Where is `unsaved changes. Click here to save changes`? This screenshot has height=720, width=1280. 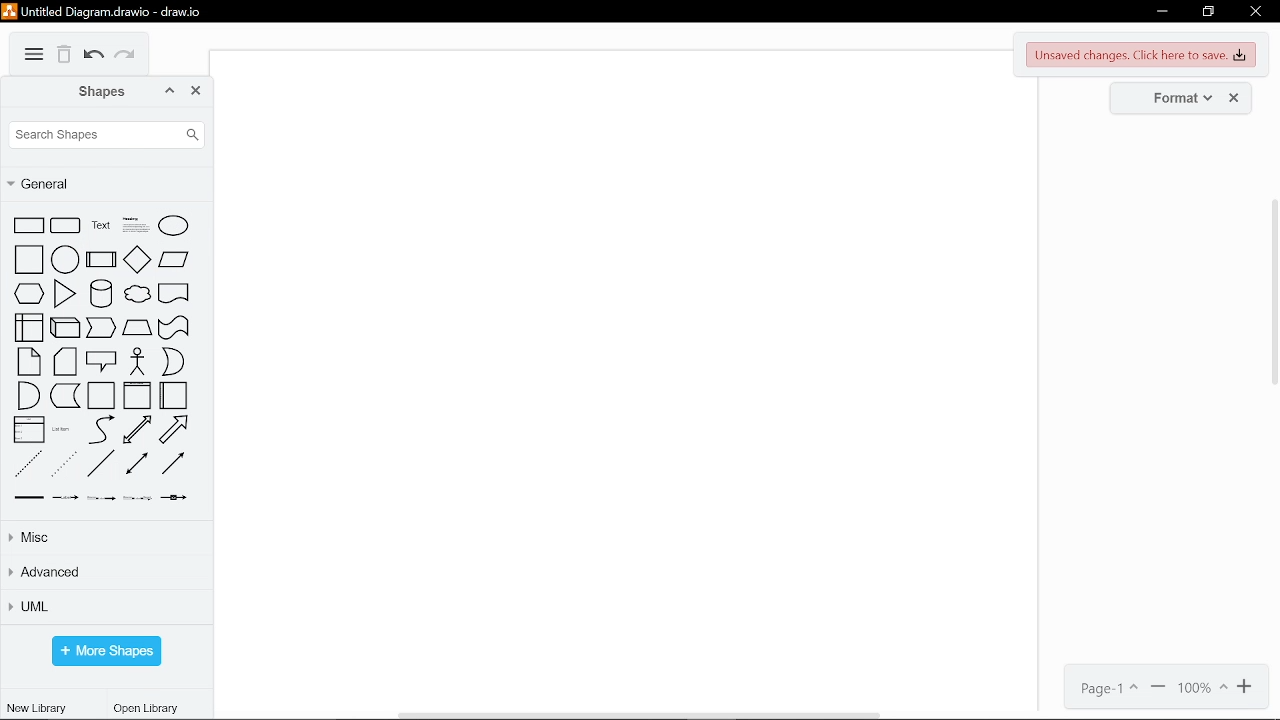
unsaved changes. Click here to save changes is located at coordinates (1143, 55).